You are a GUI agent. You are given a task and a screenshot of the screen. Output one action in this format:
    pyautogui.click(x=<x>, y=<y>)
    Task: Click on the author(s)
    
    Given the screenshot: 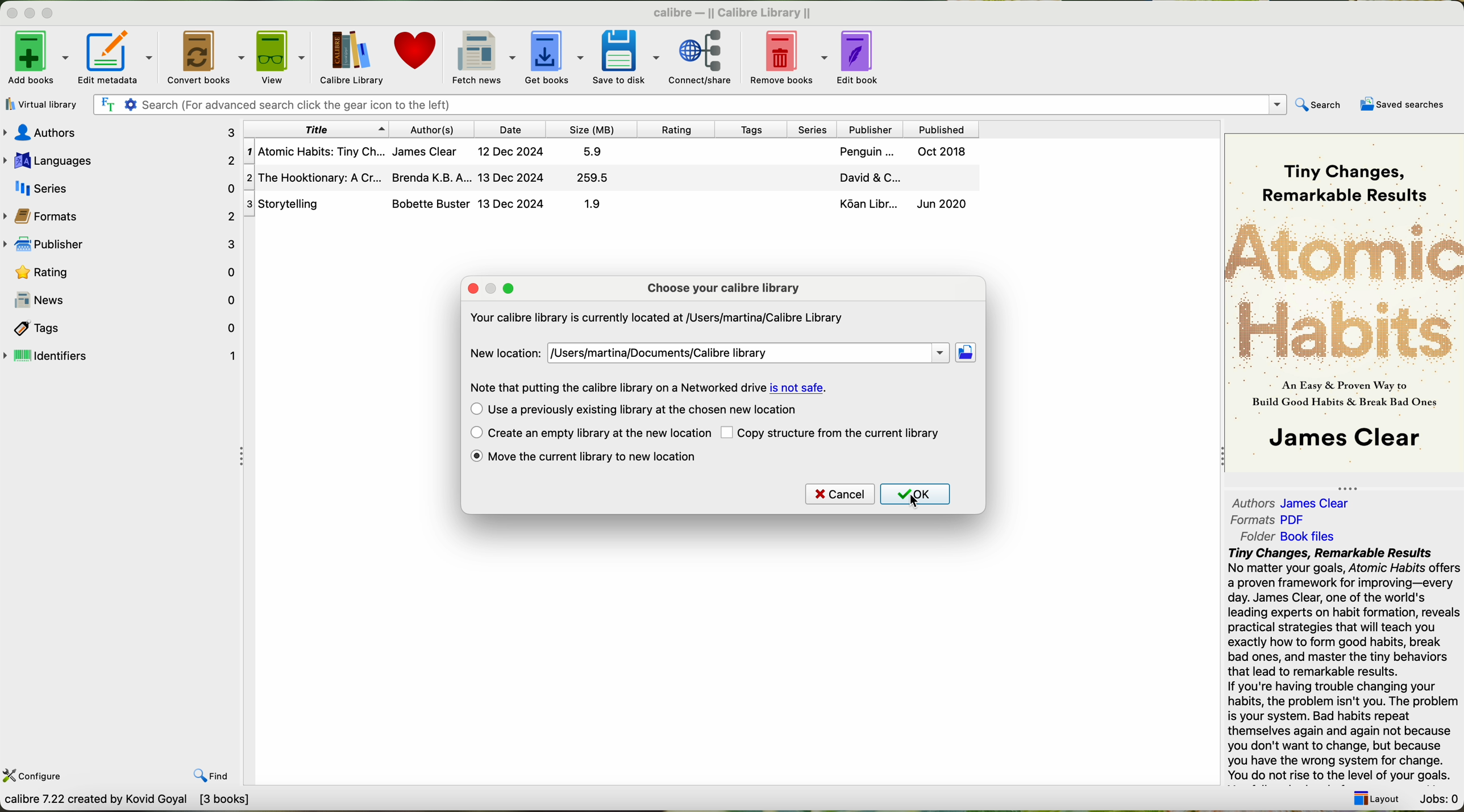 What is the action you would take?
    pyautogui.click(x=432, y=130)
    